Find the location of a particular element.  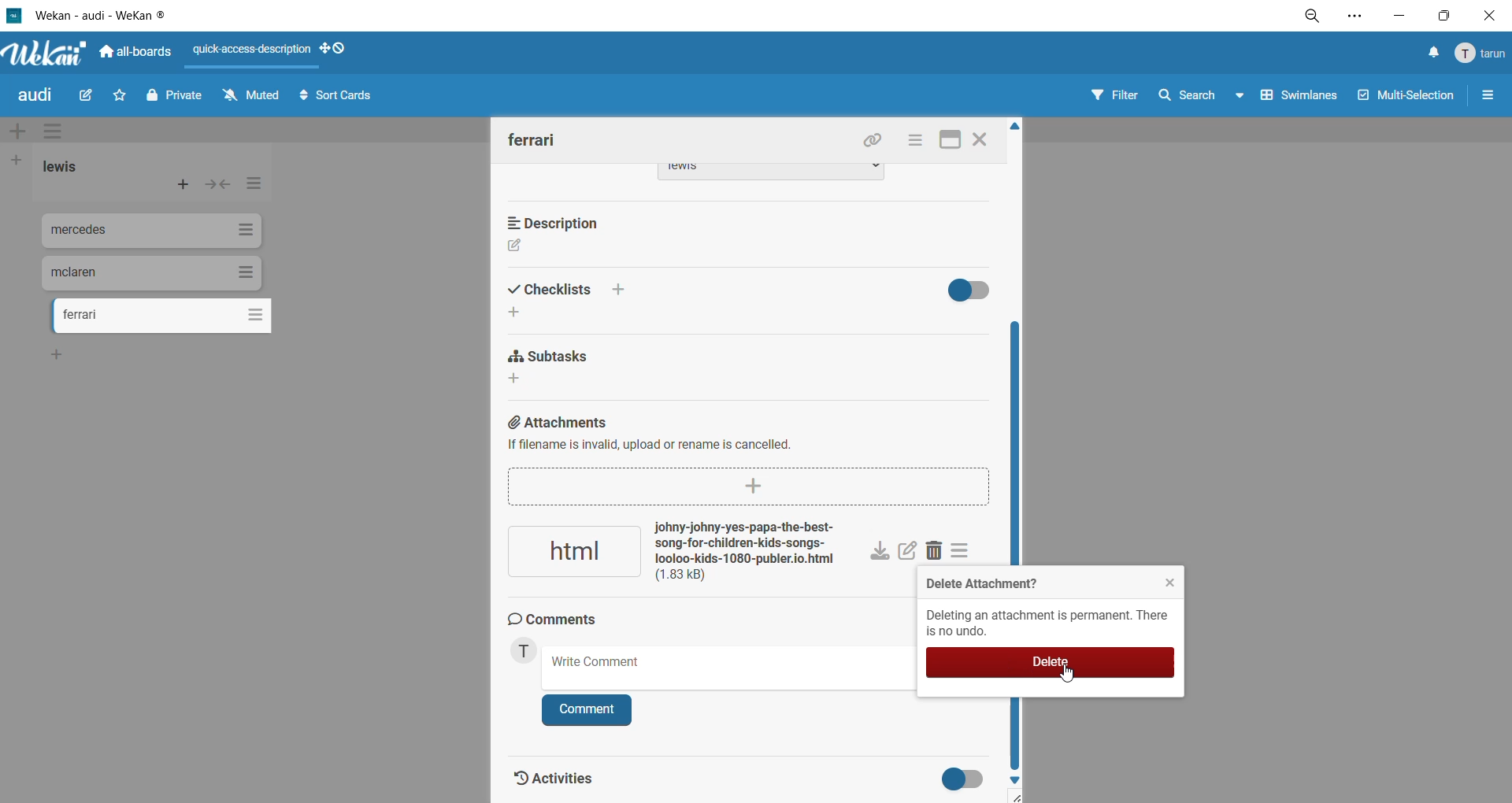

maximize is located at coordinates (950, 141).